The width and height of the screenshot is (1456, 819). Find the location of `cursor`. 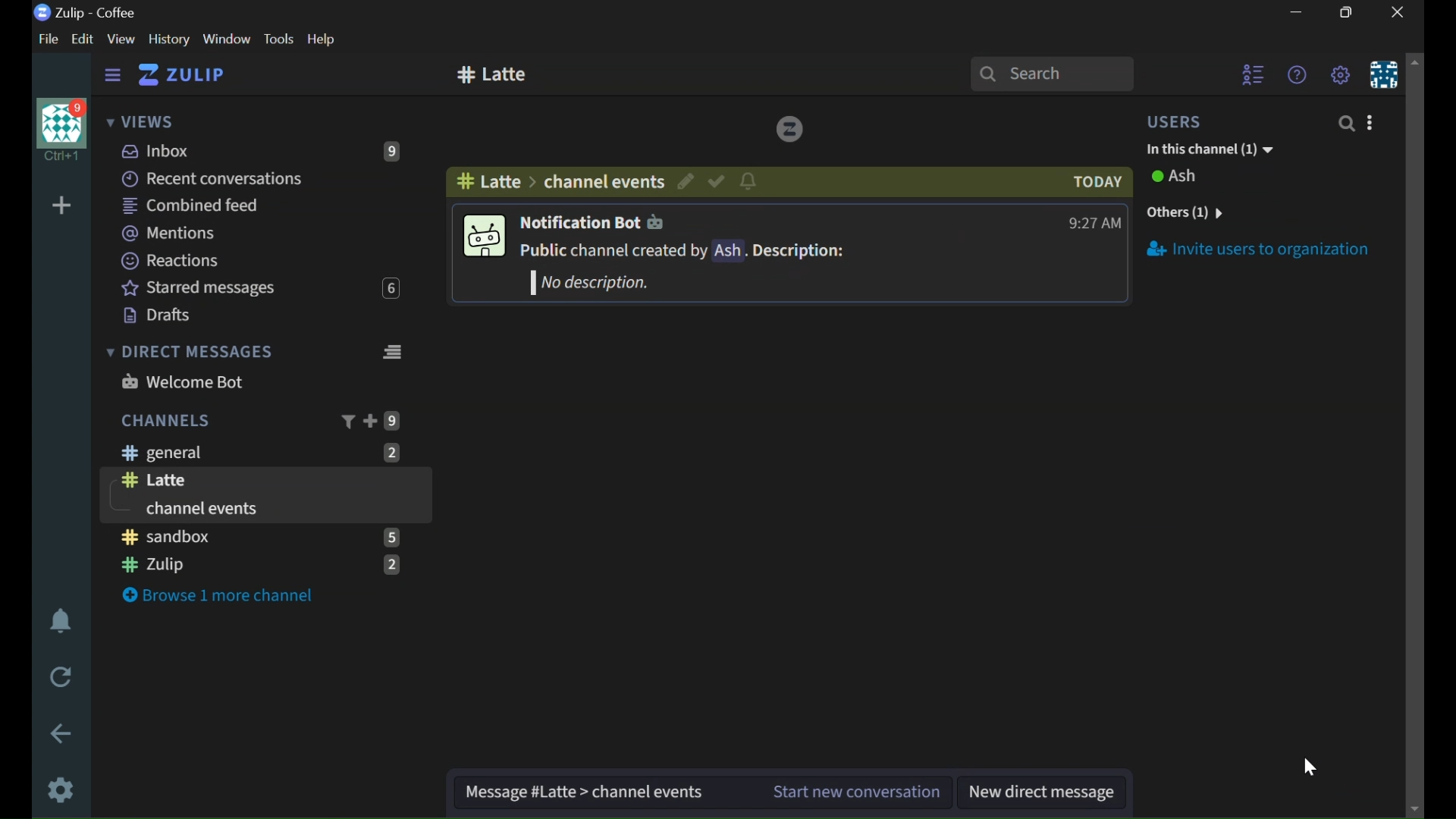

cursor is located at coordinates (1310, 767).